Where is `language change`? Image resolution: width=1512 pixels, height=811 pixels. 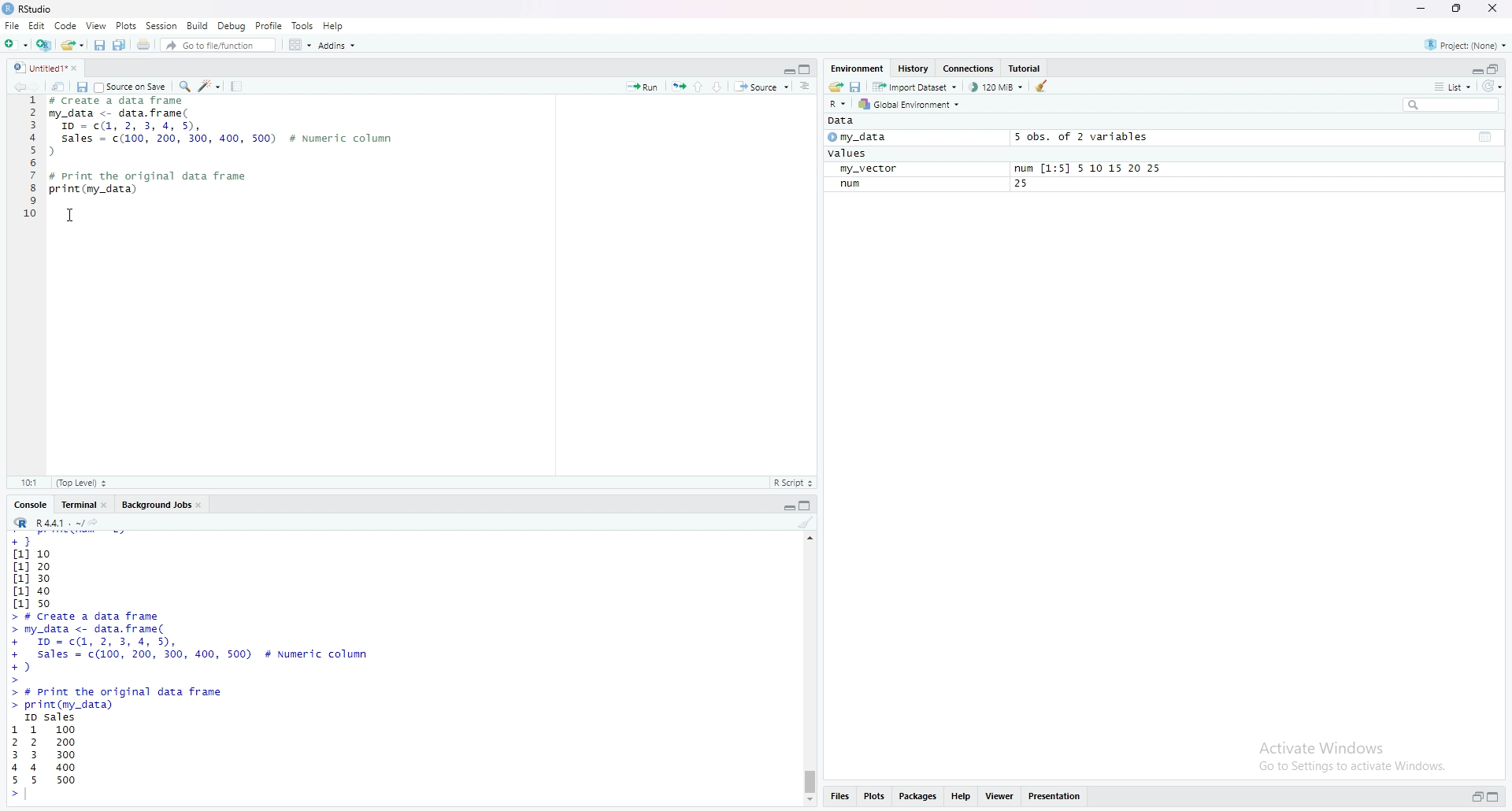 language change is located at coordinates (838, 104).